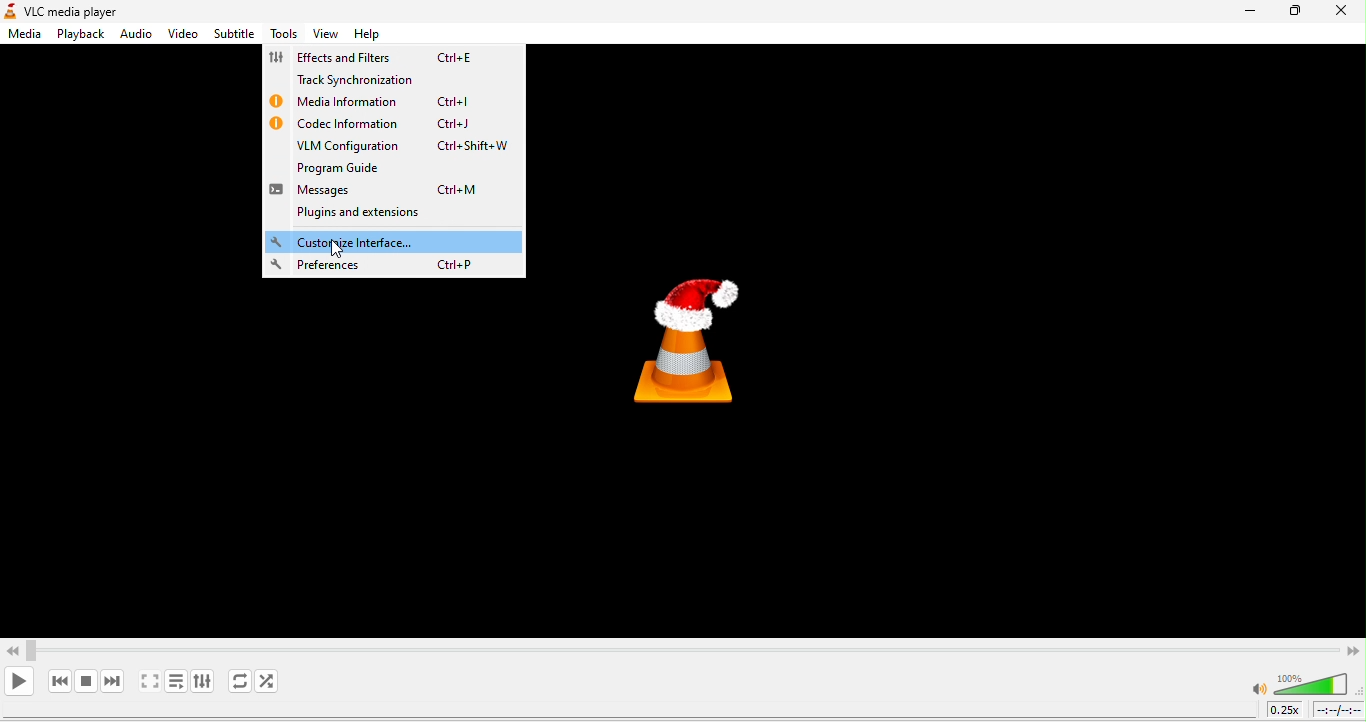 The height and width of the screenshot is (722, 1366). I want to click on customized interface, so click(394, 242).